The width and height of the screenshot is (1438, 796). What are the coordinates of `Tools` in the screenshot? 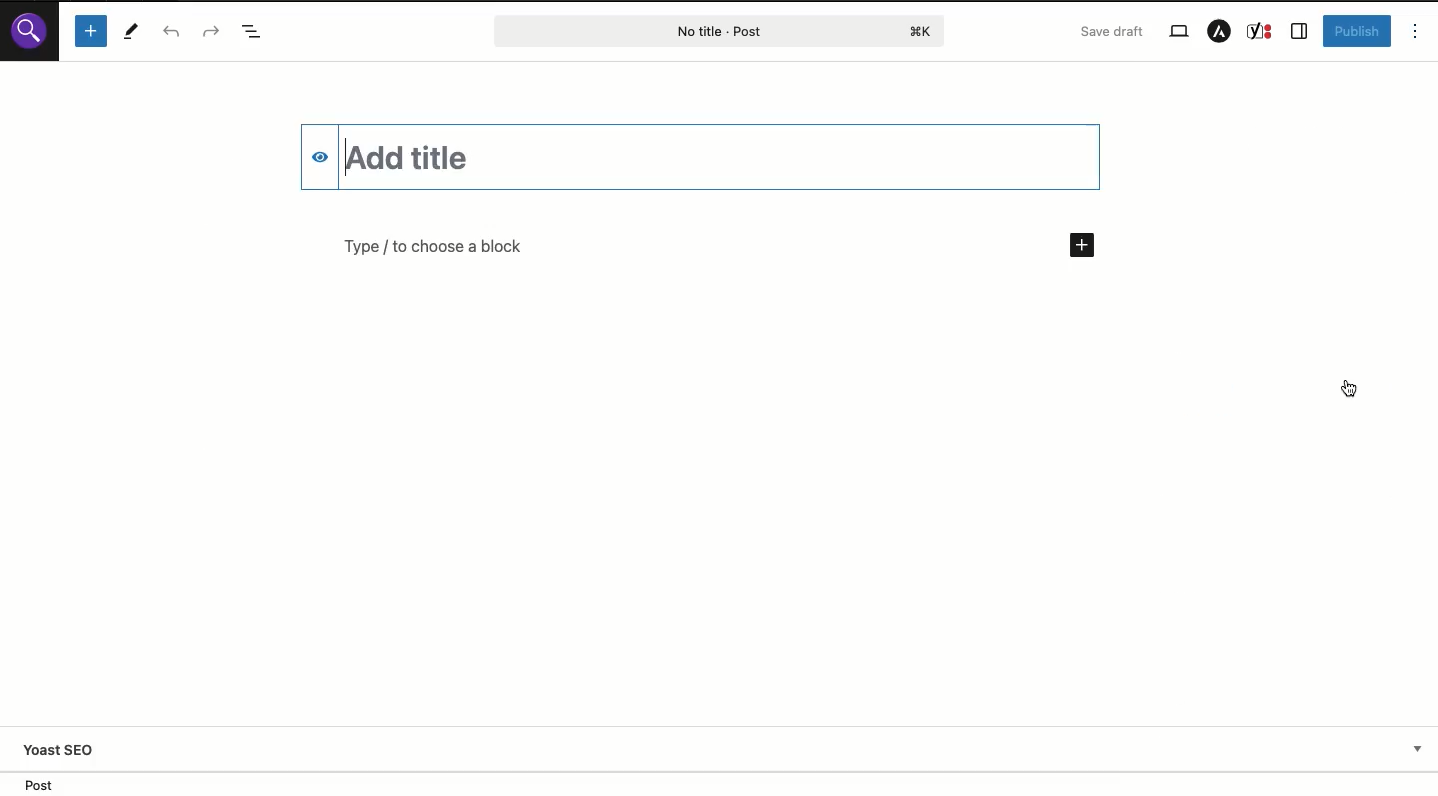 It's located at (132, 32).